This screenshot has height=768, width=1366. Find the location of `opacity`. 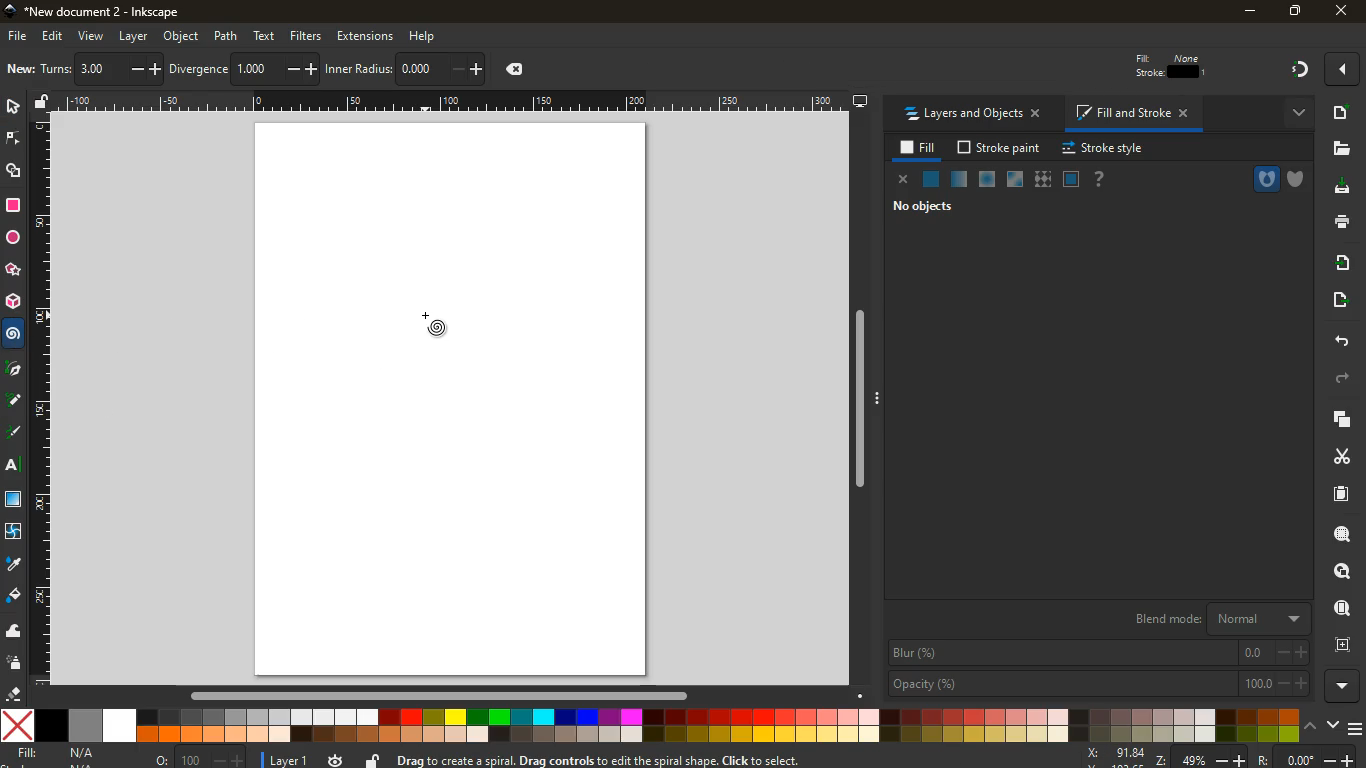

opacity is located at coordinates (1097, 683).